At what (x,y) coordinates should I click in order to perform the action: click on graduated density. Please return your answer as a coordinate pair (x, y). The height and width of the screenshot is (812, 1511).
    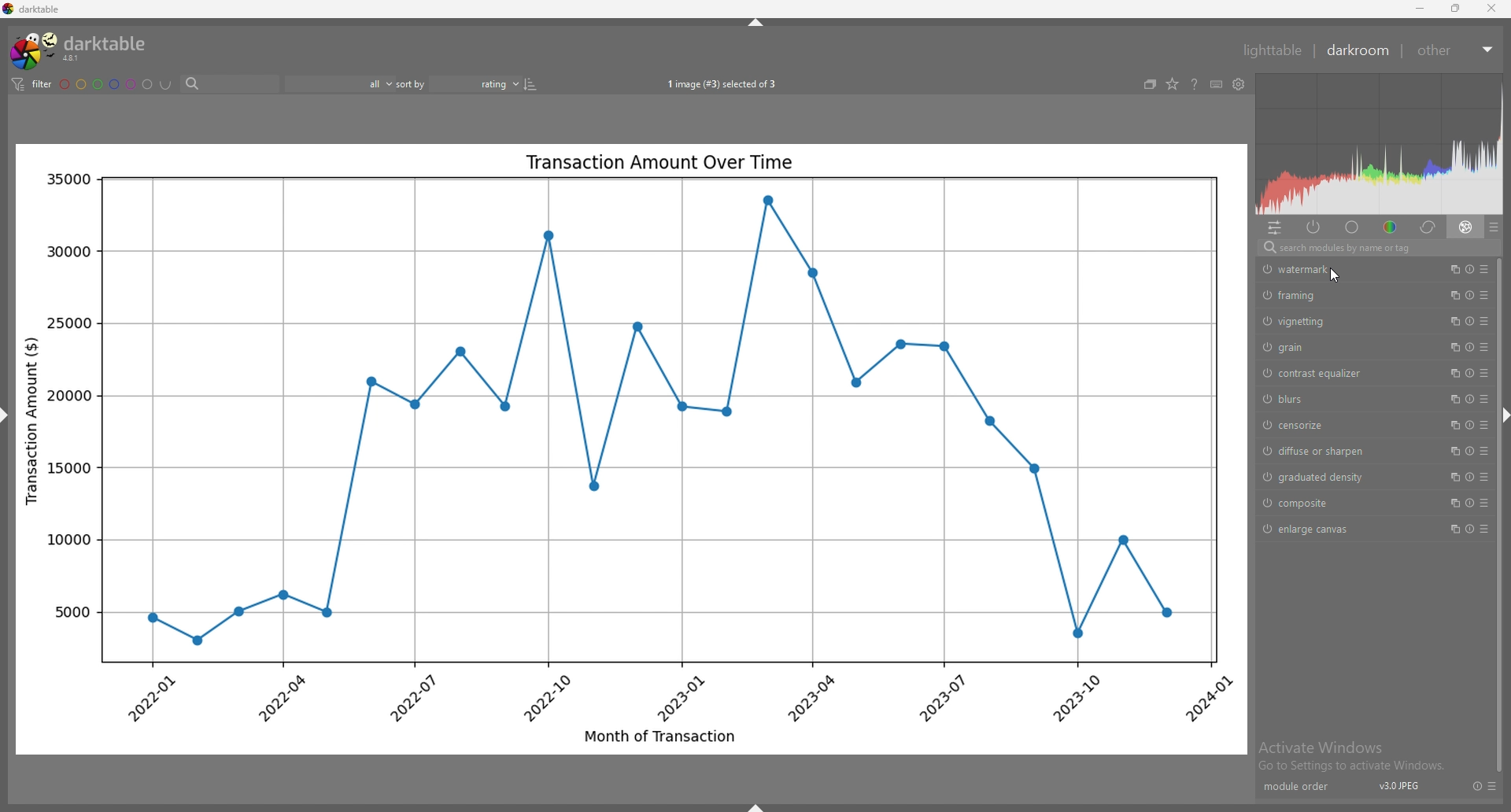
    Looking at the image, I should click on (1339, 476).